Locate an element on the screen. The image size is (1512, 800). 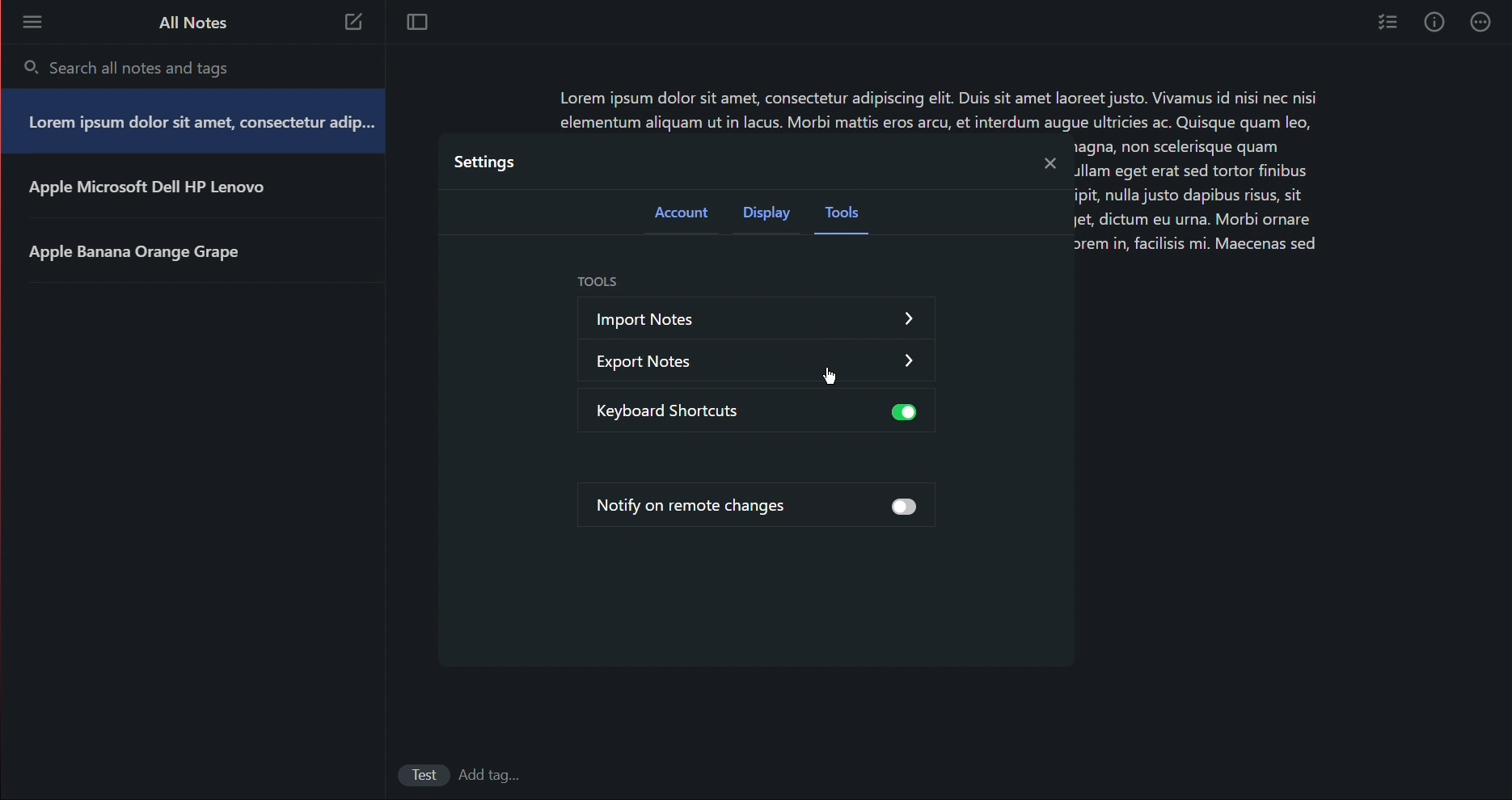
Apple Microsoft Dell HP Lenovo is located at coordinates (146, 190).